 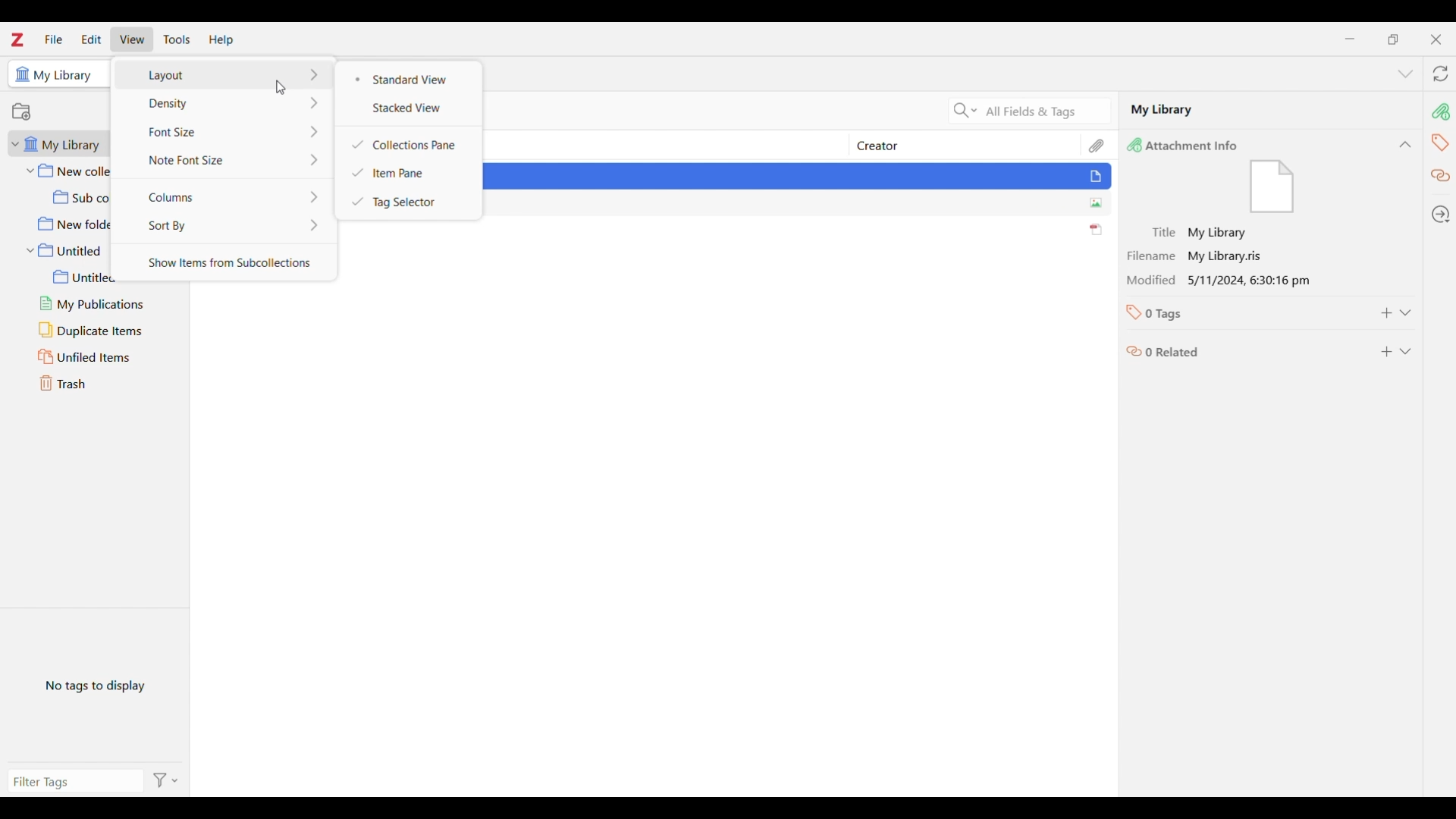 I want to click on Minimize, so click(x=1350, y=39).